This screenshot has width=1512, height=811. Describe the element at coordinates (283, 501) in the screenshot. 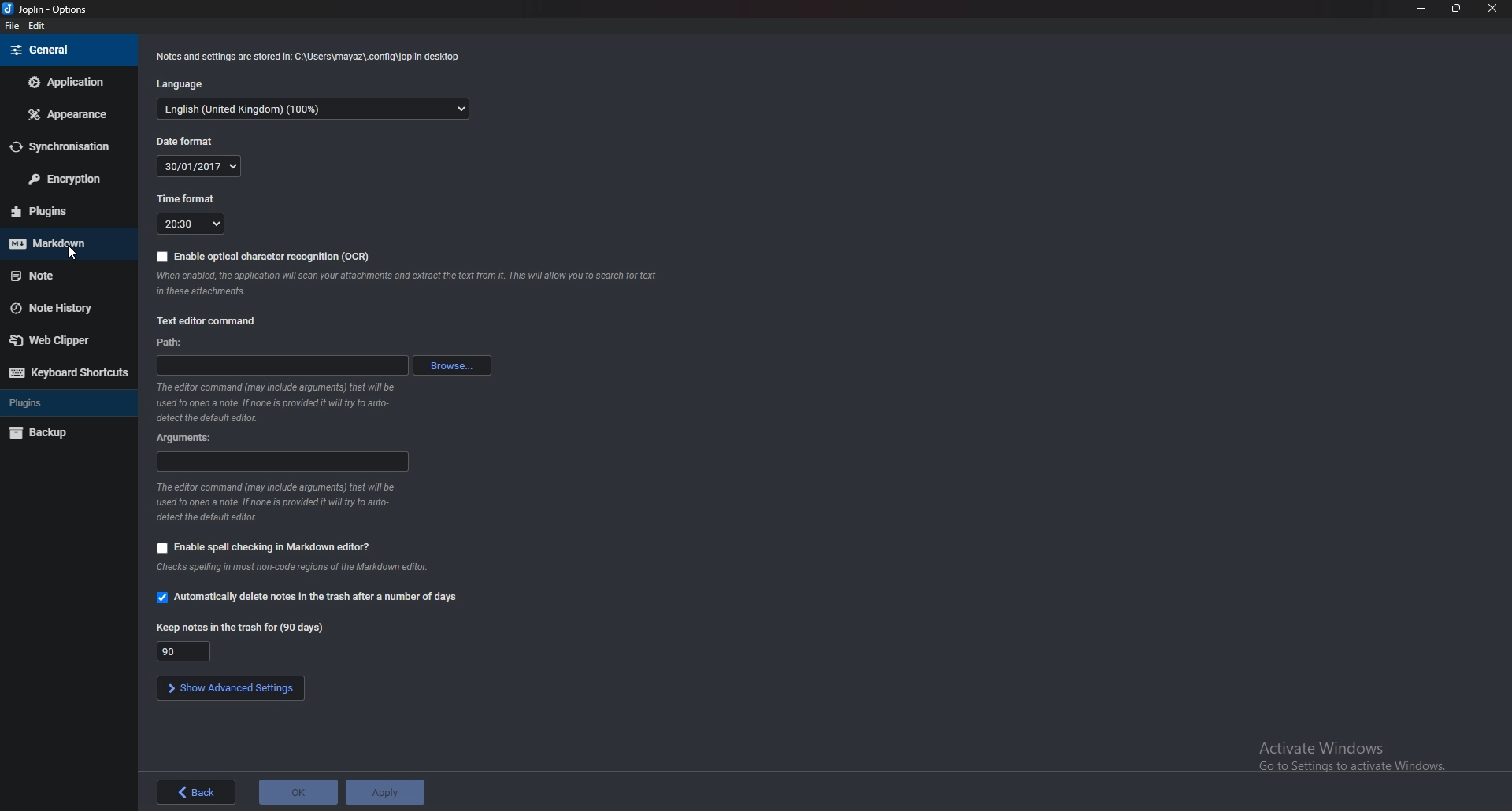

I see `Info` at that location.